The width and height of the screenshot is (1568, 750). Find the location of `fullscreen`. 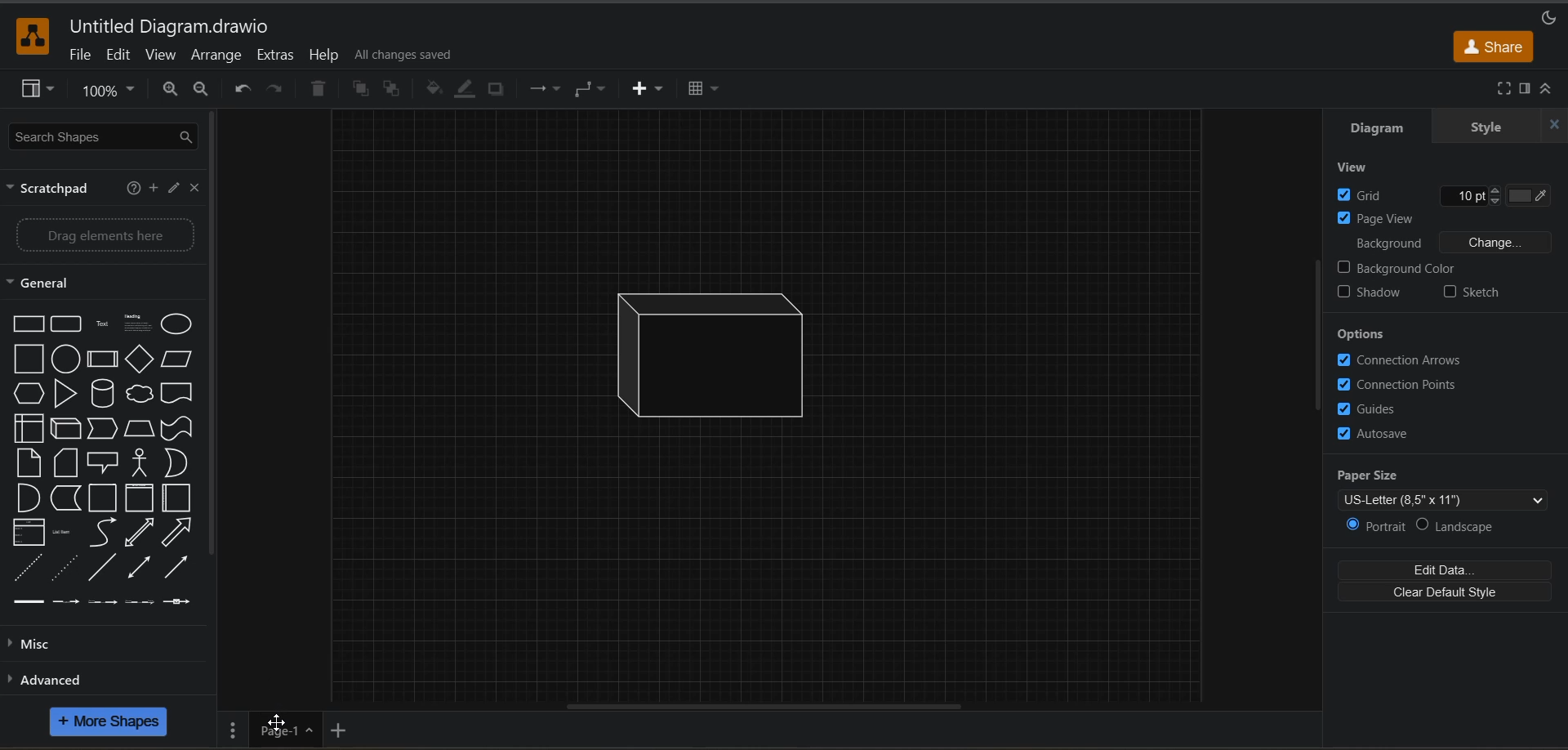

fullscreen is located at coordinates (1504, 89).